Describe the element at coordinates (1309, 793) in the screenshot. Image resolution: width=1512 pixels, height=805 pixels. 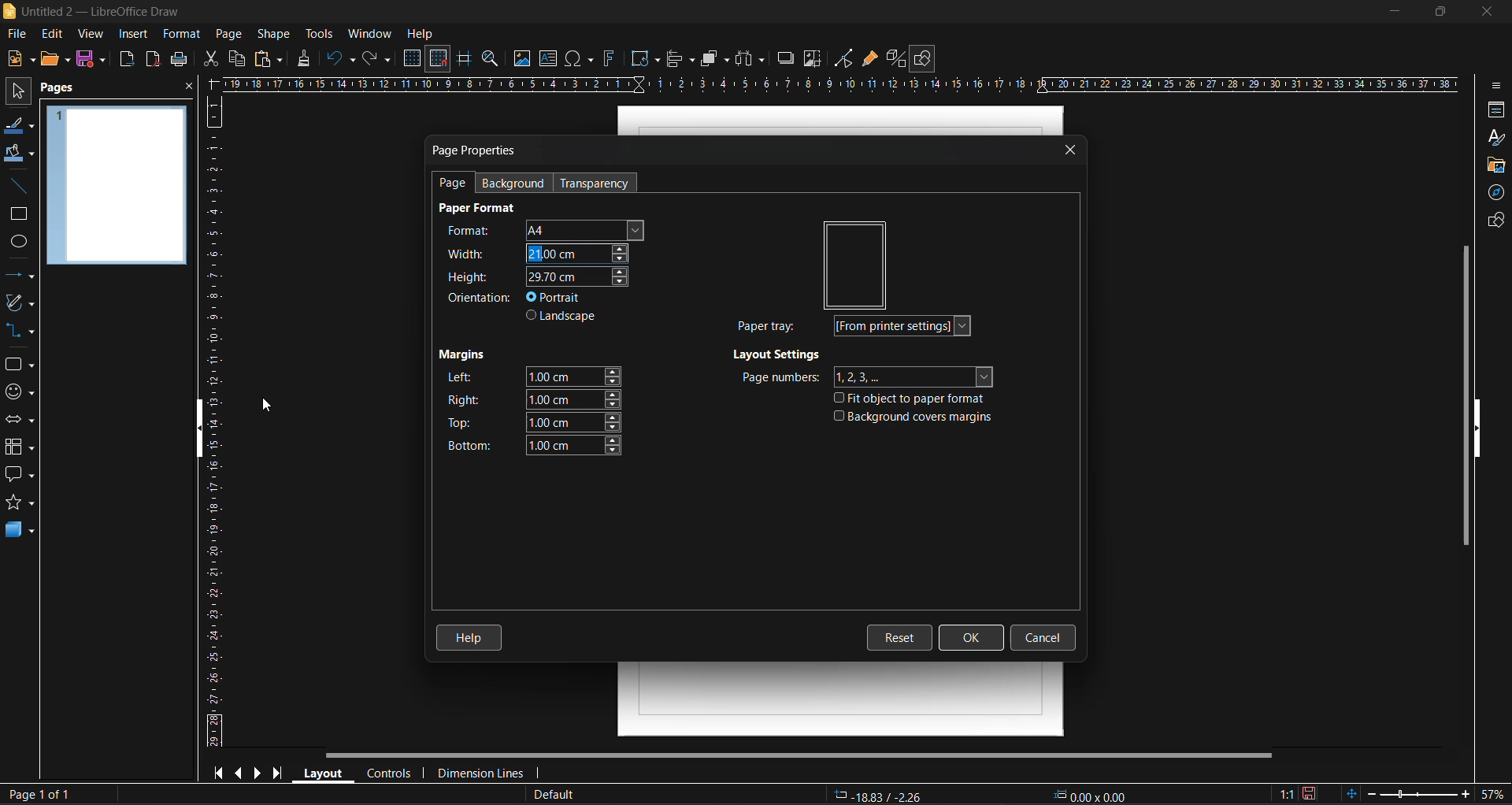
I see `click to save` at that location.